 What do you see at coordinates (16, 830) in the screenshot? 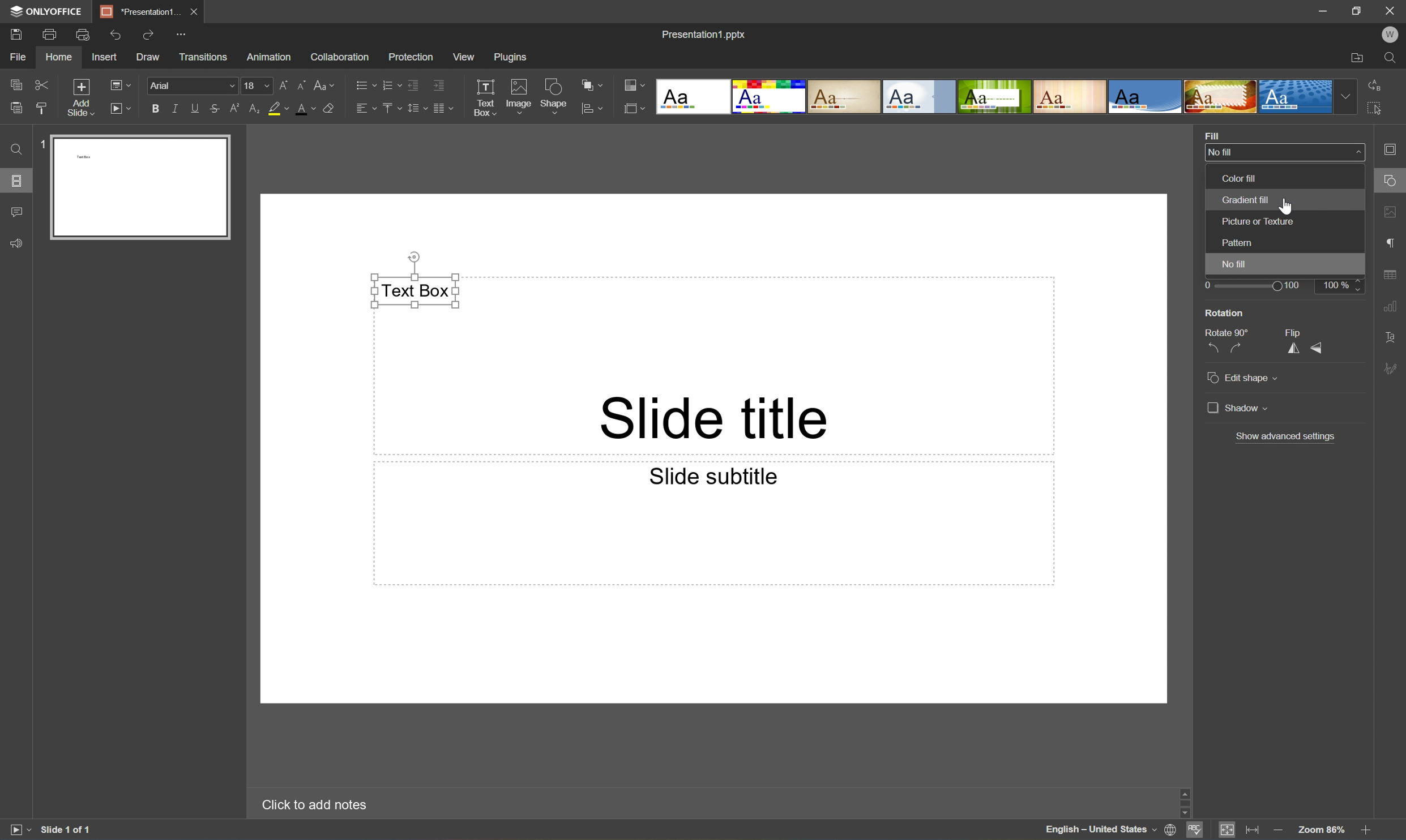
I see `Start slideshow` at bounding box center [16, 830].